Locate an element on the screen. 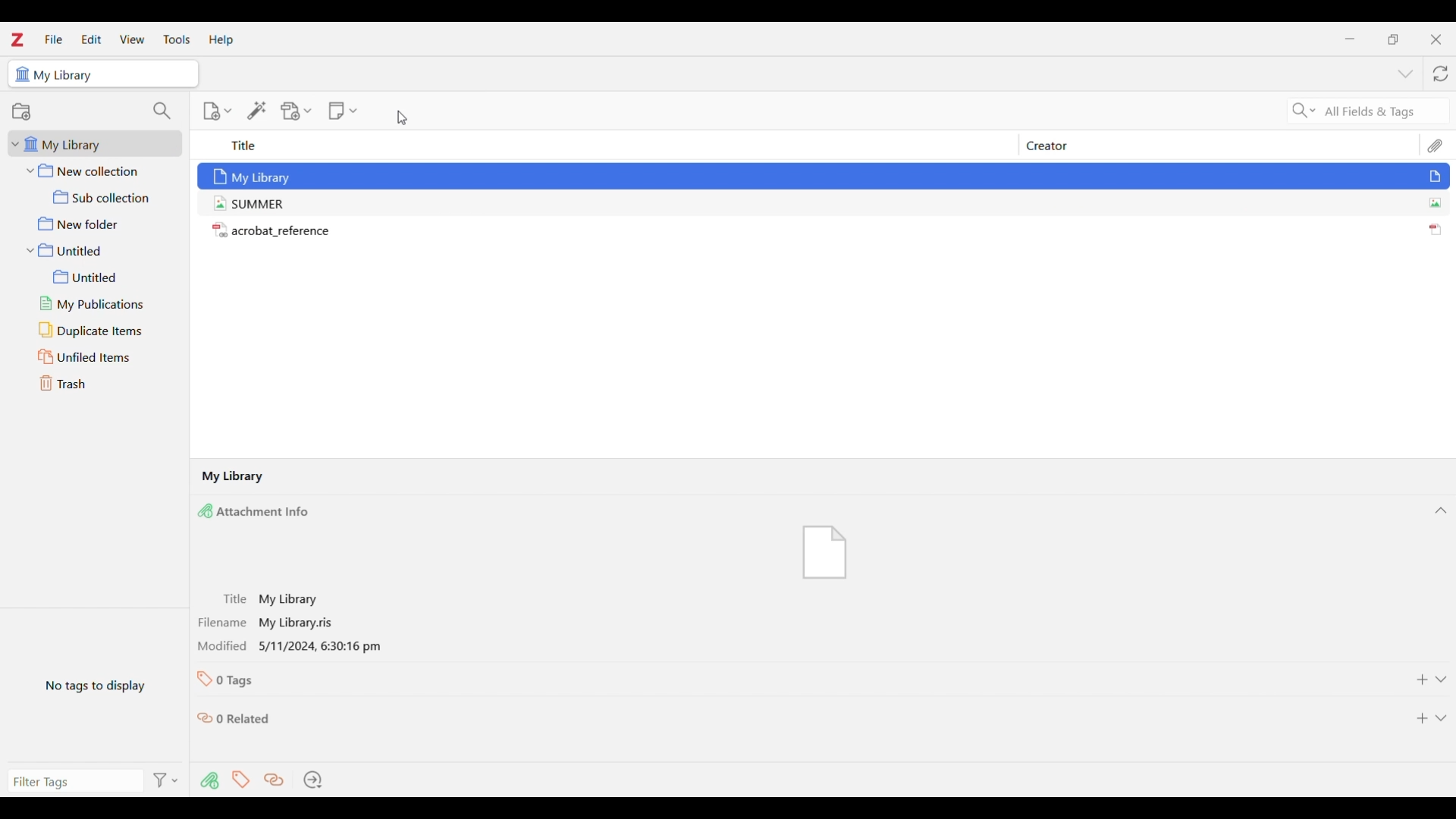 Image resolution: width=1456 pixels, height=819 pixels. Software logo is located at coordinates (17, 39).